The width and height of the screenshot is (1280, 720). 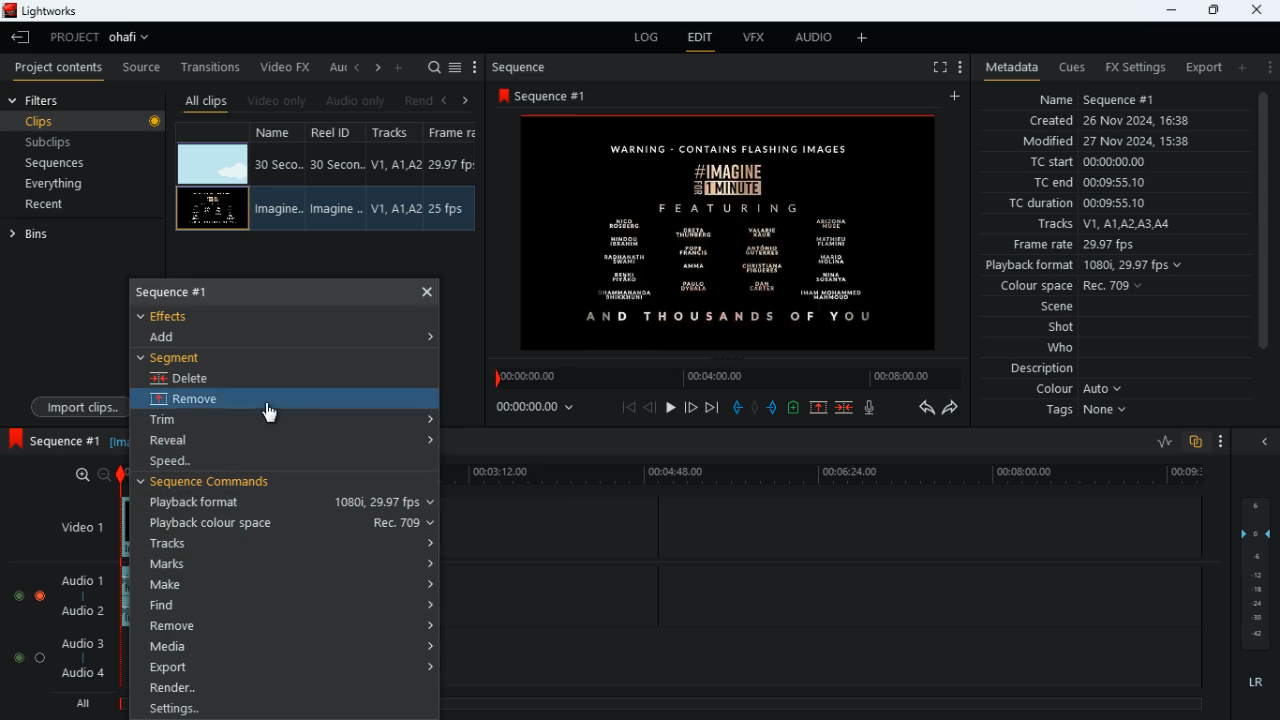 What do you see at coordinates (816, 37) in the screenshot?
I see `audio` at bounding box center [816, 37].